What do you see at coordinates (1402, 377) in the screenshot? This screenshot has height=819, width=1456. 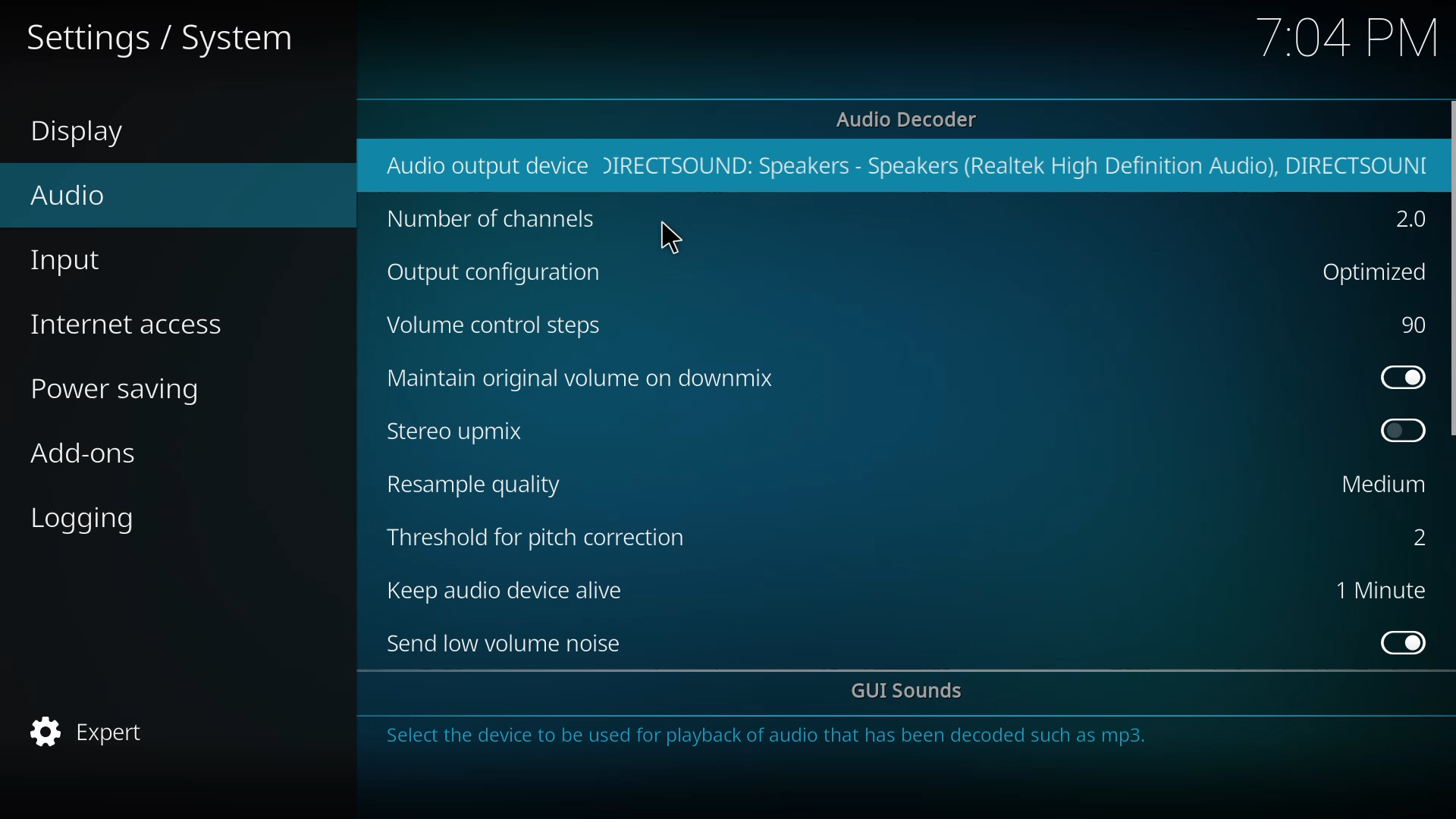 I see `enabled` at bounding box center [1402, 377].